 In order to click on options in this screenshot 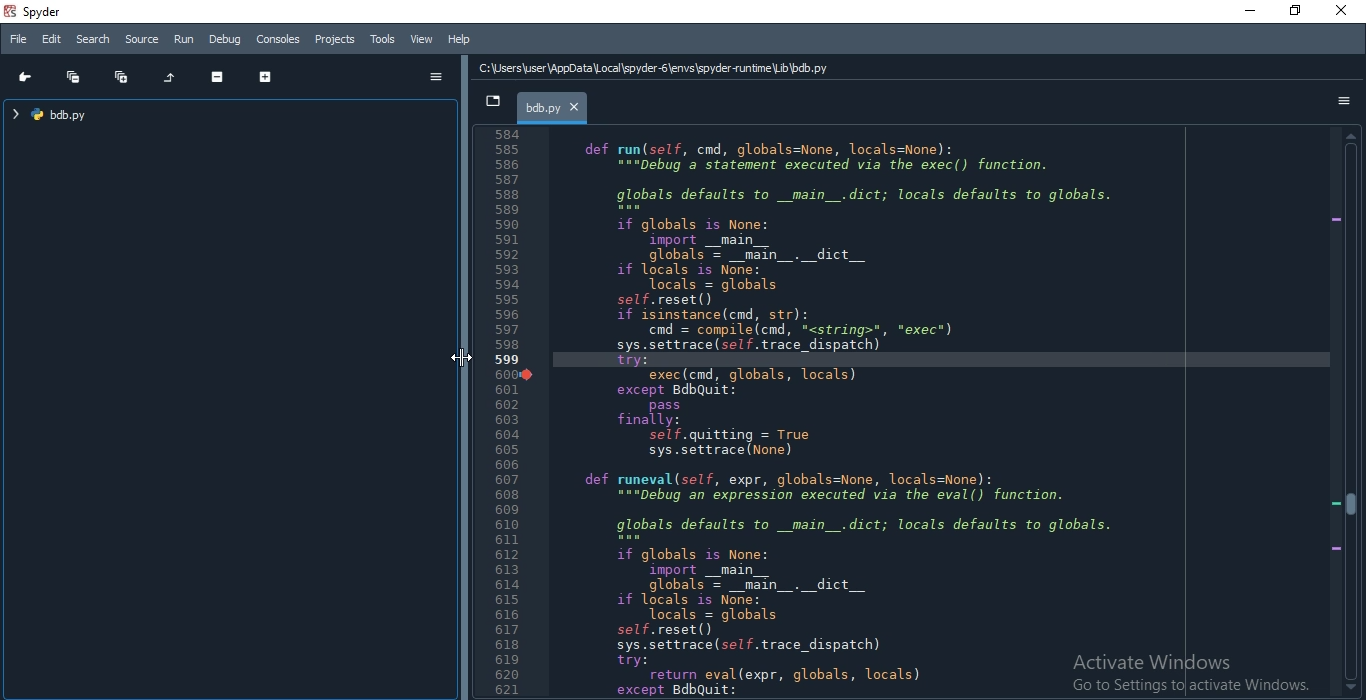, I will do `click(436, 77)`.